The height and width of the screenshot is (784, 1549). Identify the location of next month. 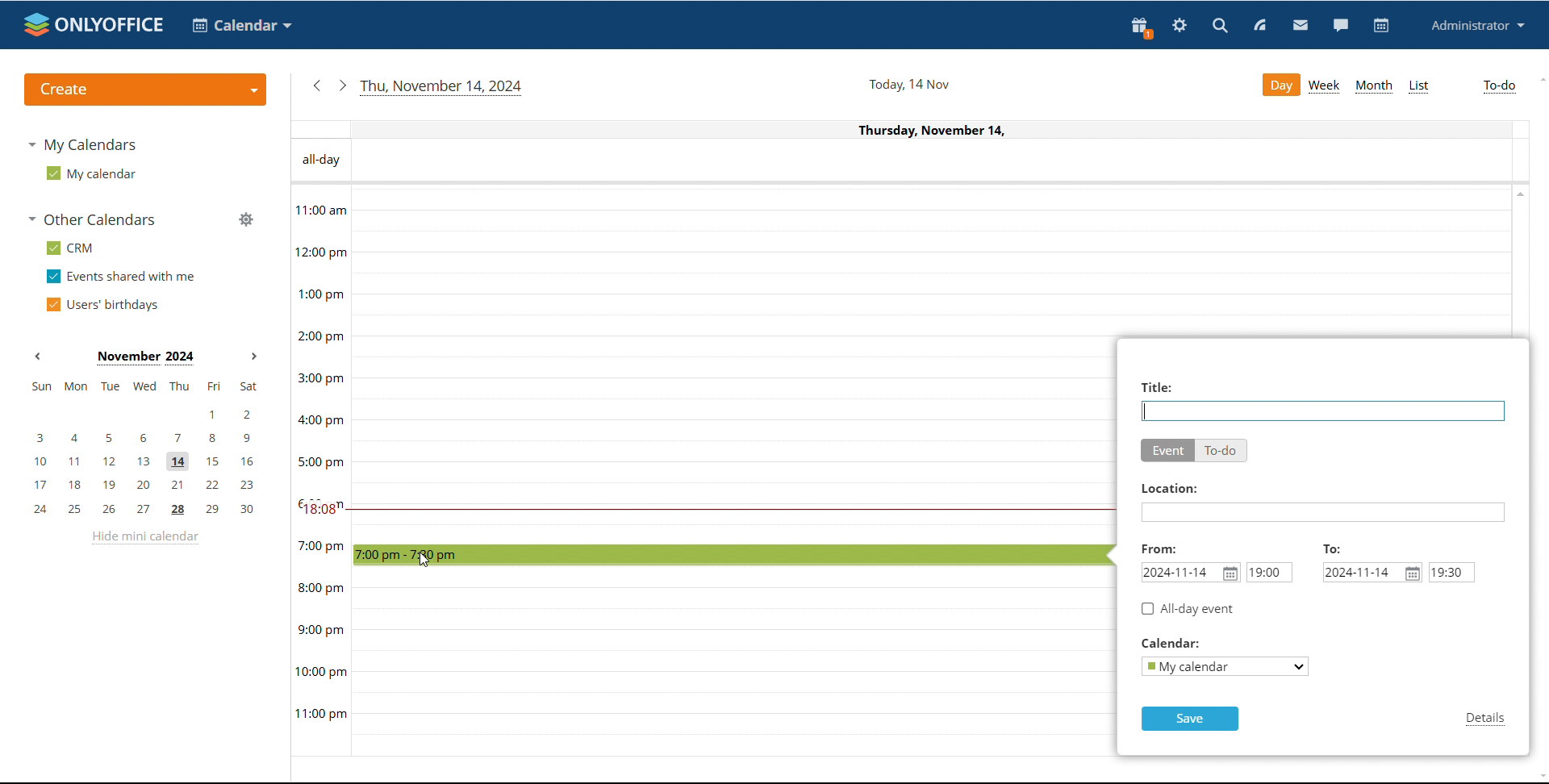
(254, 357).